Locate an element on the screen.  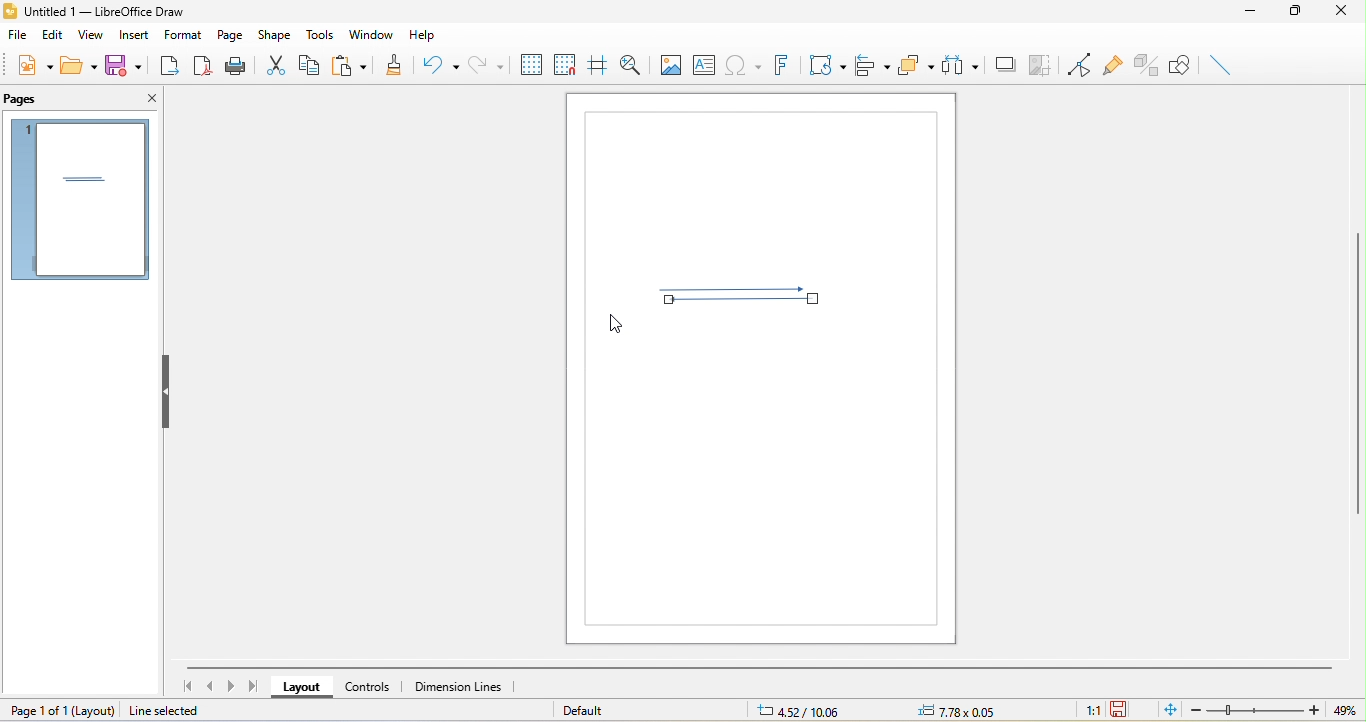
display to grids is located at coordinates (530, 64).